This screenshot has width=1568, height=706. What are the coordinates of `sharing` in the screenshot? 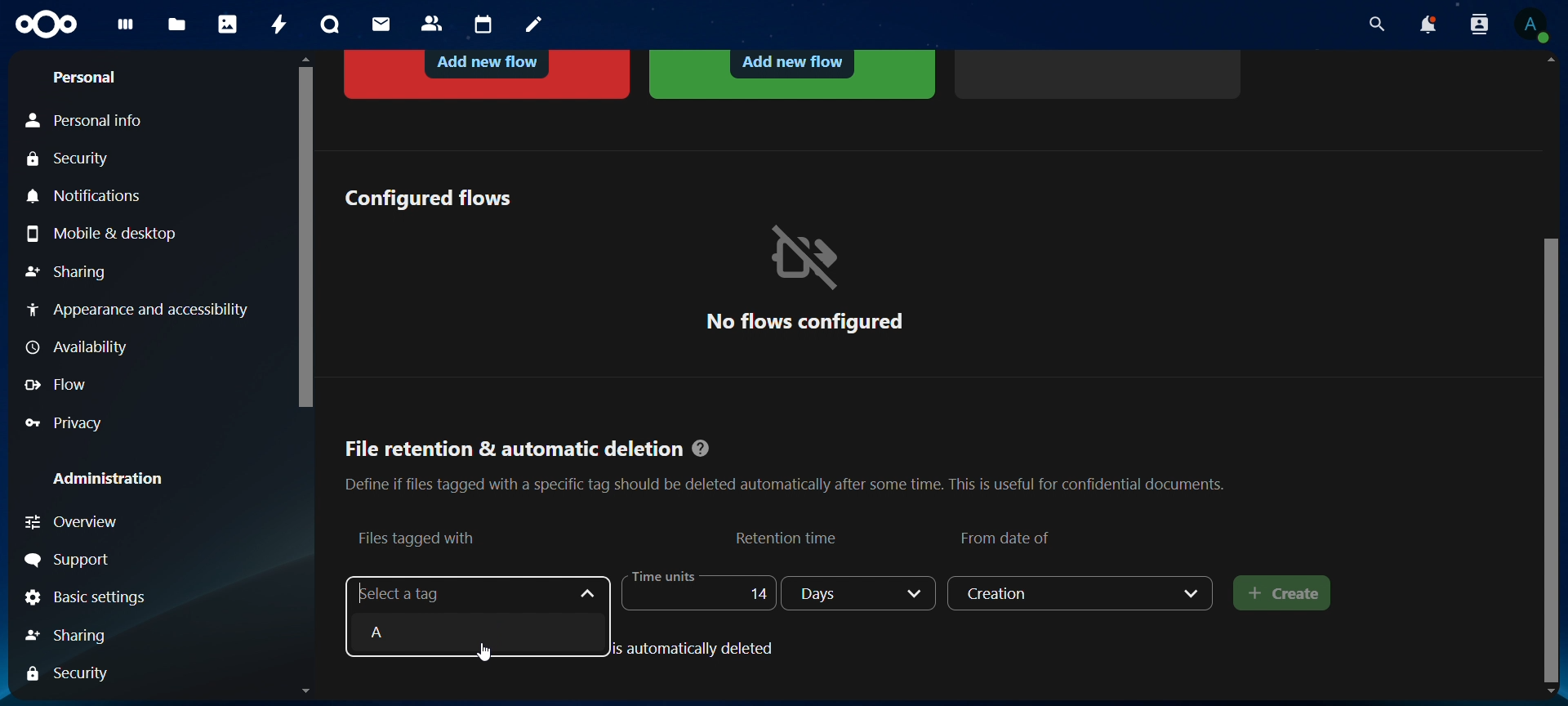 It's located at (66, 274).